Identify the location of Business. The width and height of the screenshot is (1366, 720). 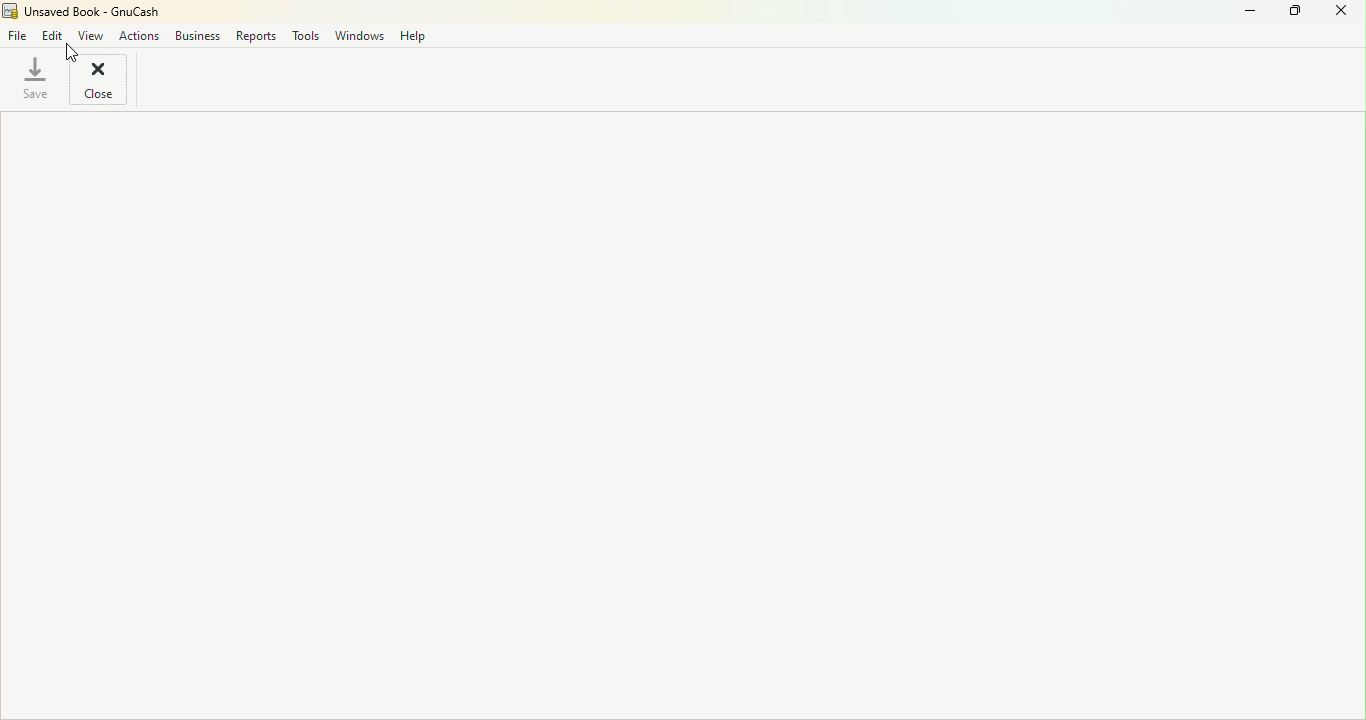
(198, 37).